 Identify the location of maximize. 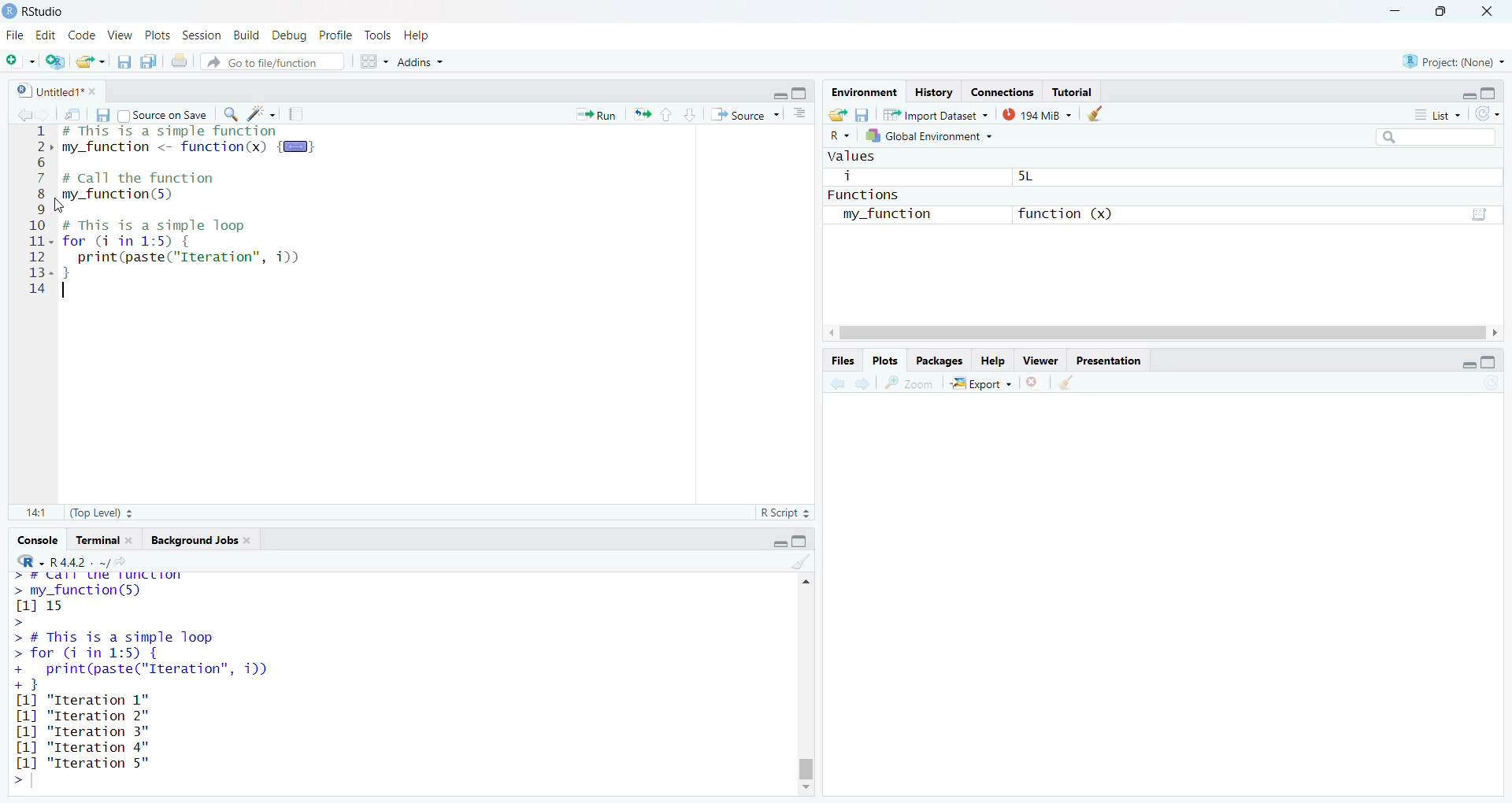
(1441, 10).